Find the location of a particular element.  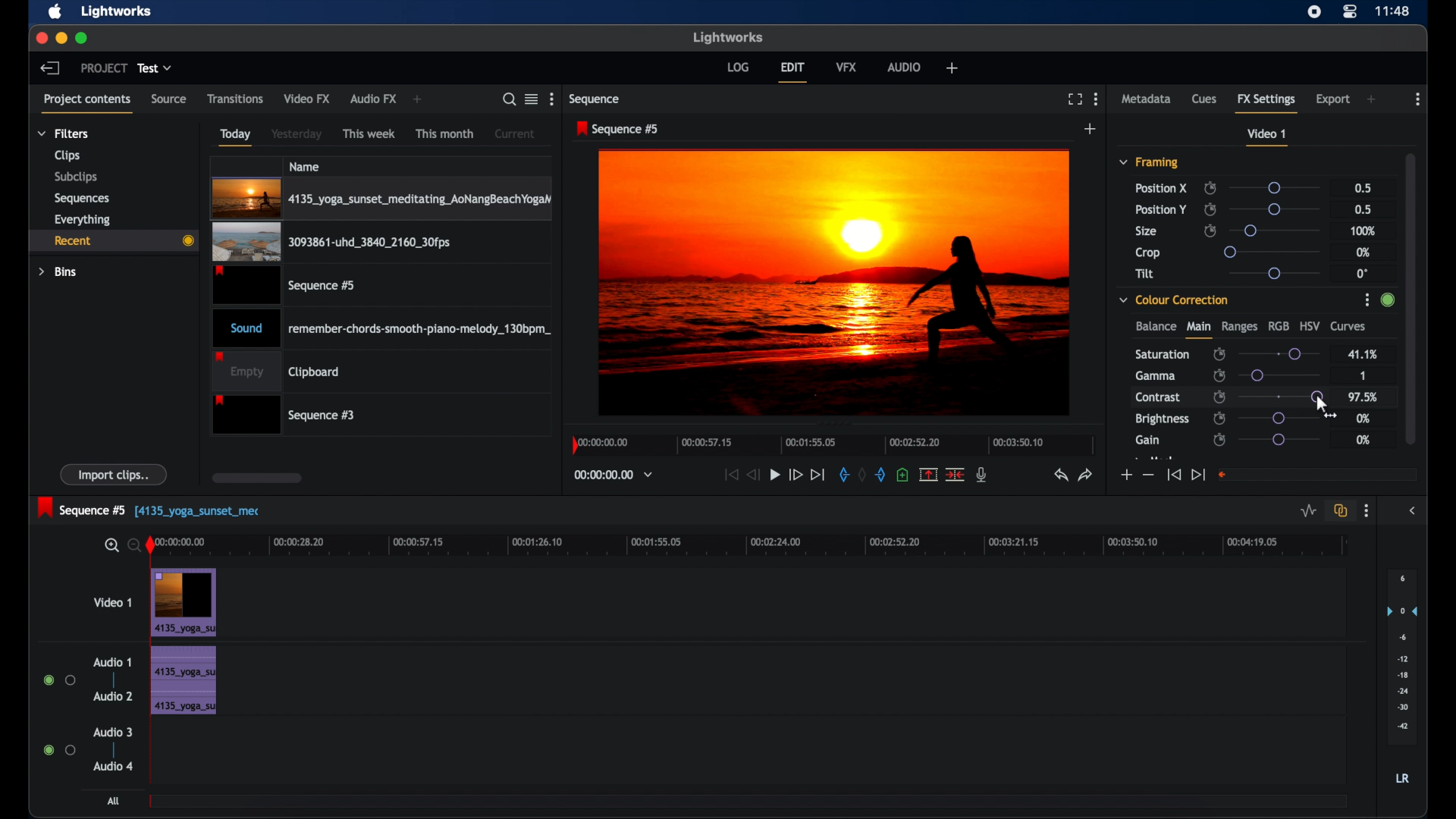

balance is located at coordinates (1155, 327).